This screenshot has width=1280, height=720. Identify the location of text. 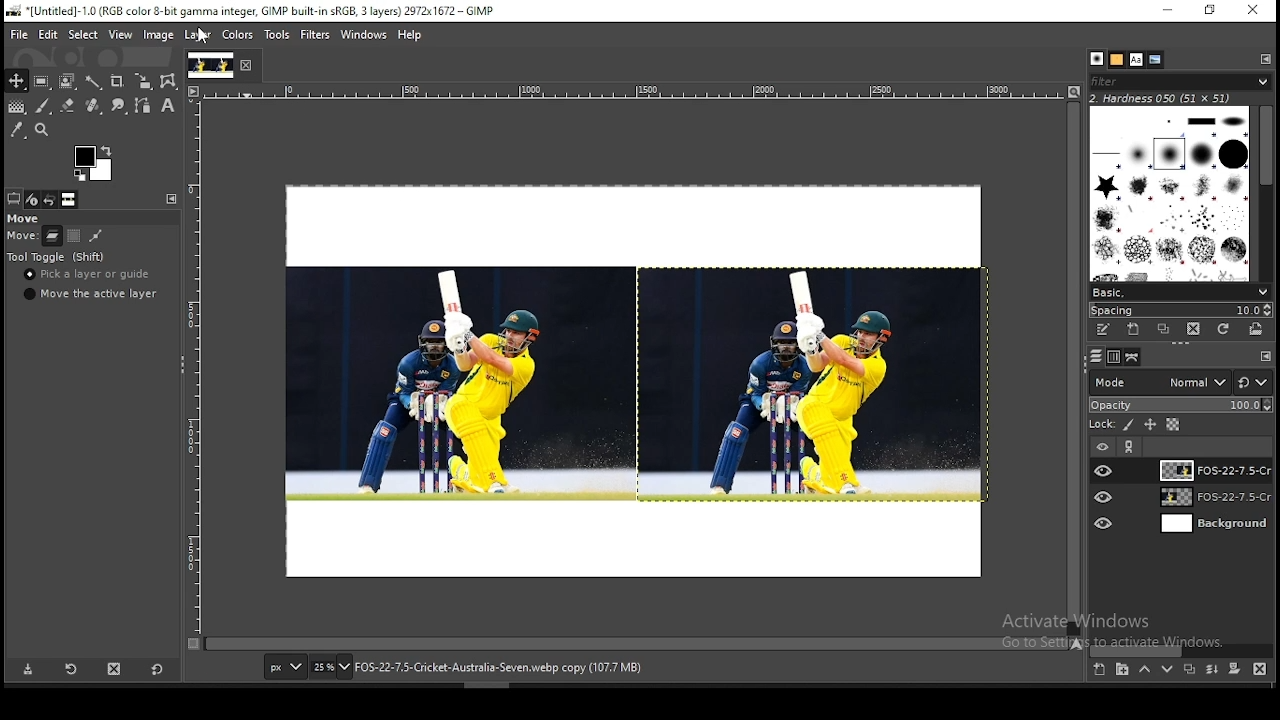
(1162, 97).